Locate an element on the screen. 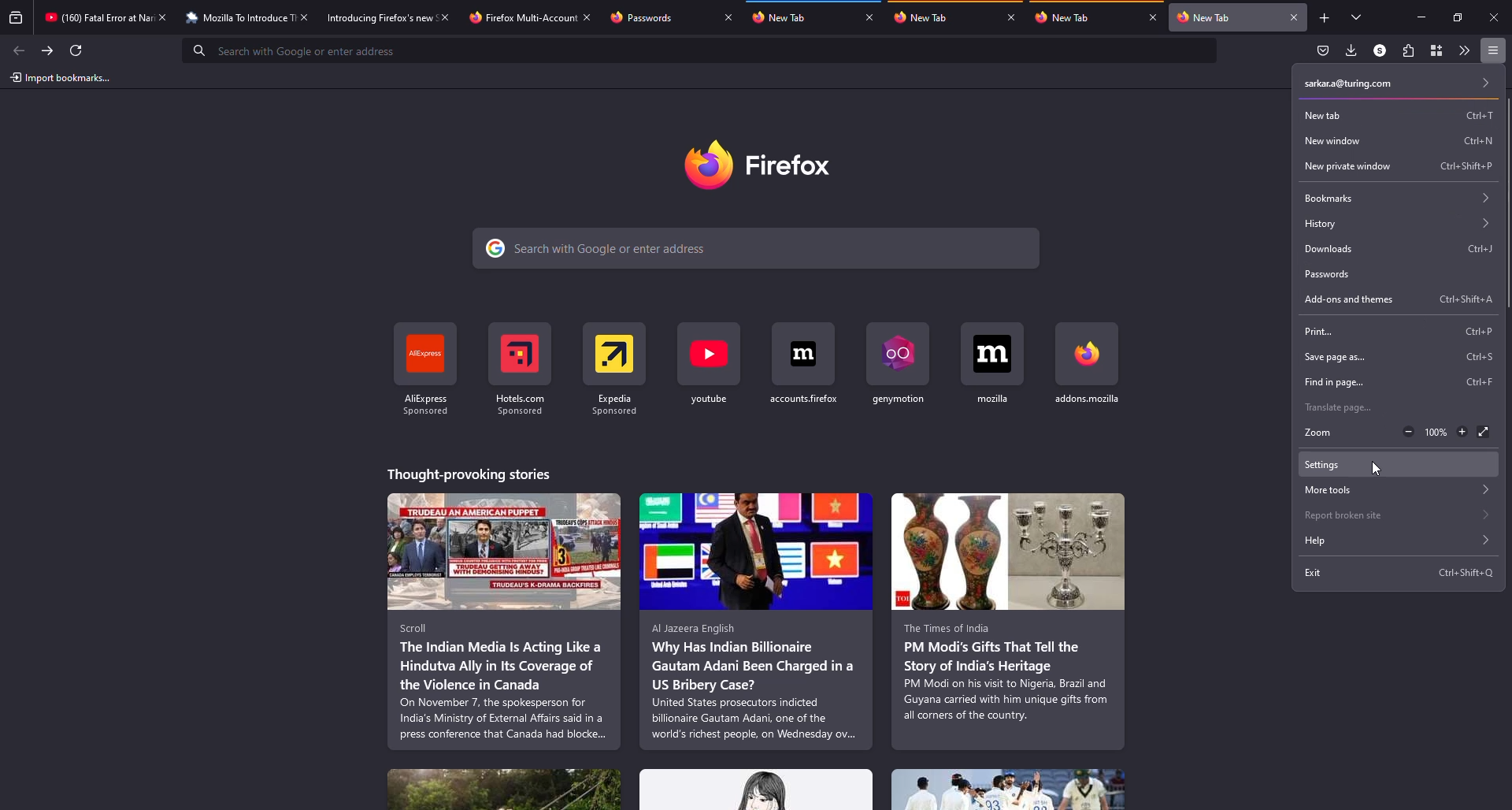 The width and height of the screenshot is (1512, 810). 100 is located at coordinates (1437, 431).